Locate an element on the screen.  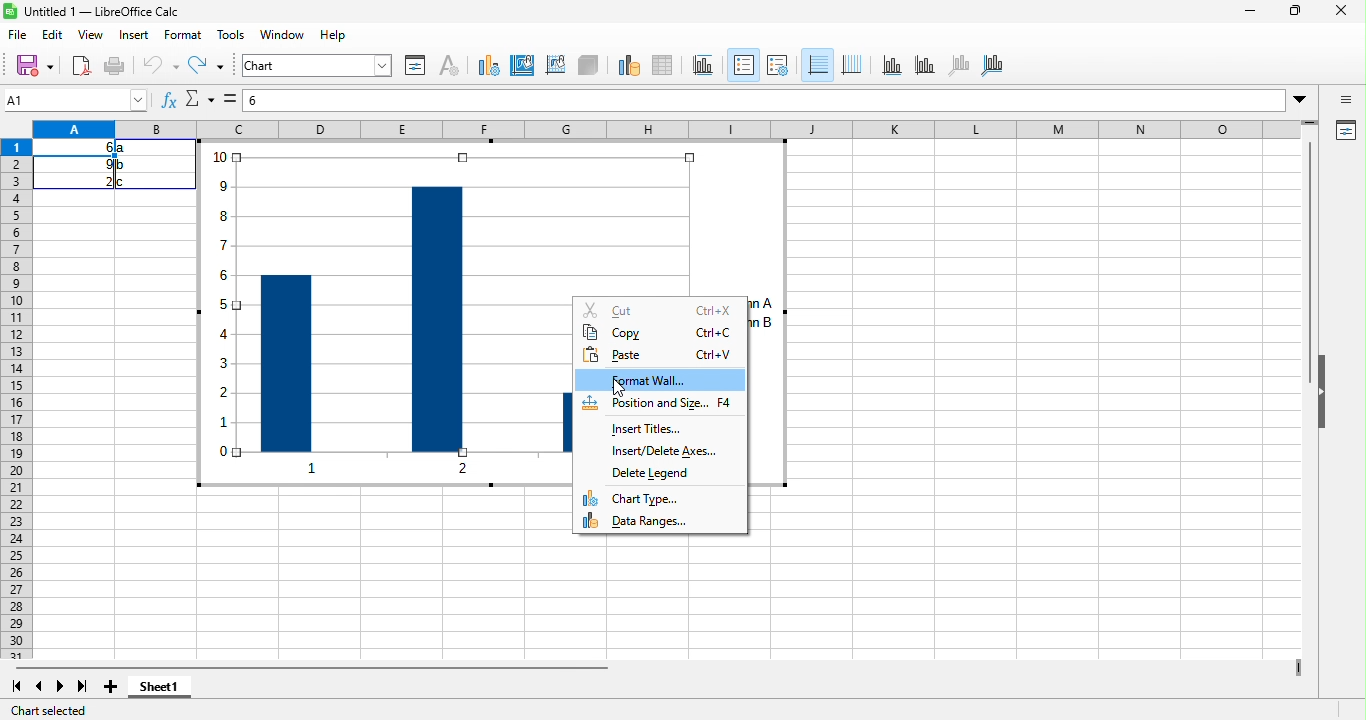
position and size is located at coordinates (660, 407).